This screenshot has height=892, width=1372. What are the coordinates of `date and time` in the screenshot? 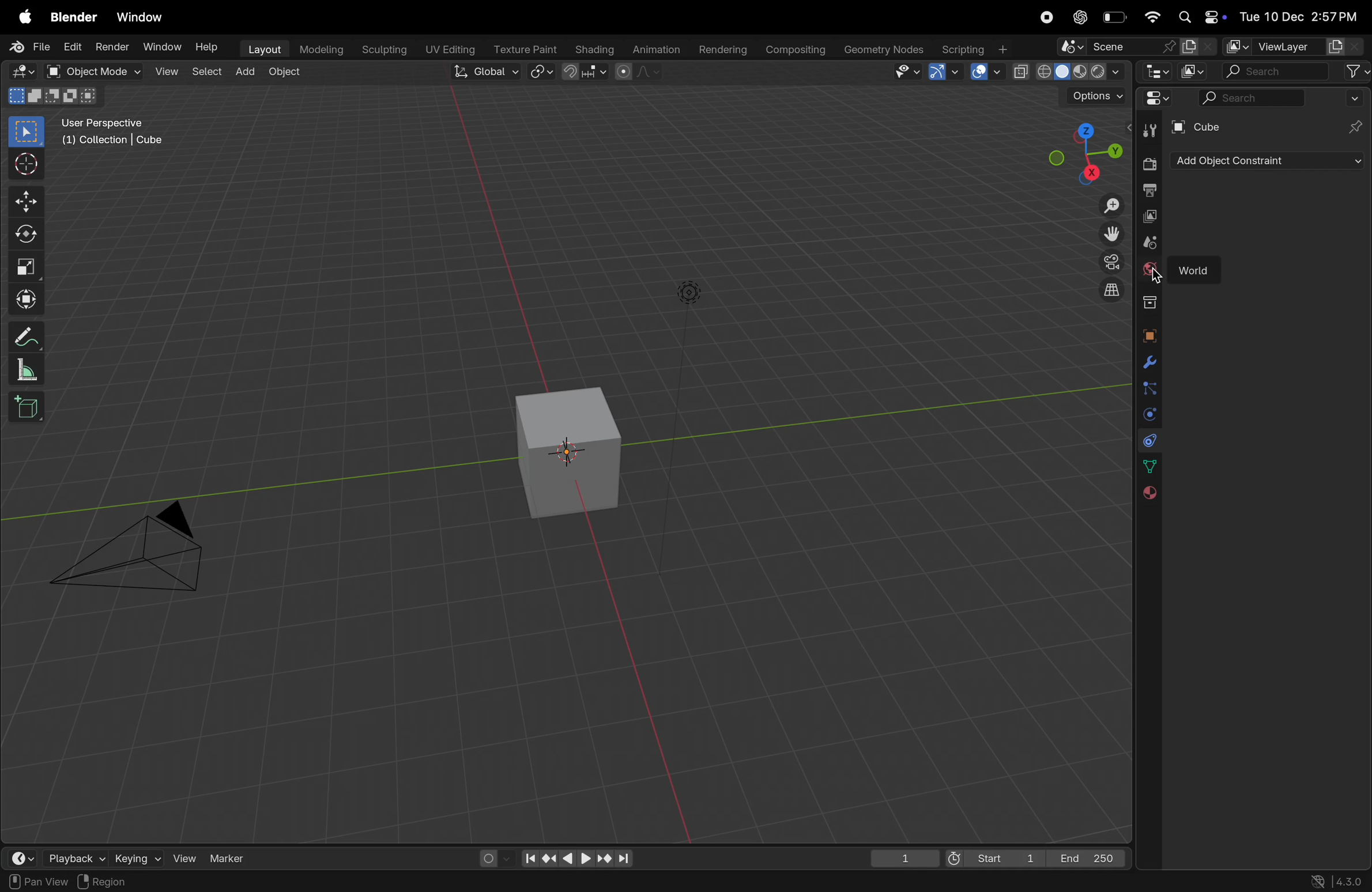 It's located at (1303, 17).